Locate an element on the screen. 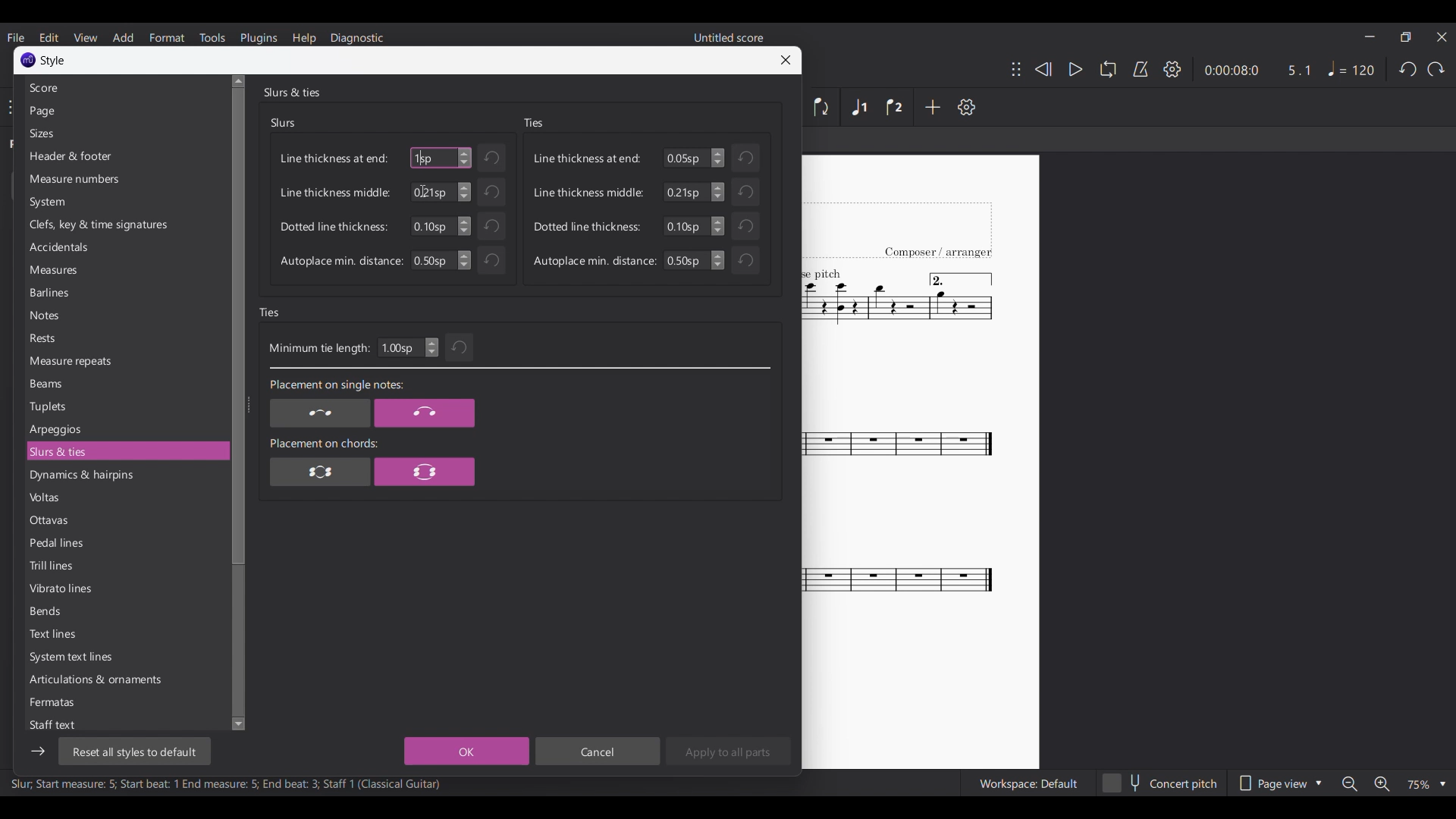  Change line thickness middle is located at coordinates (717, 192).